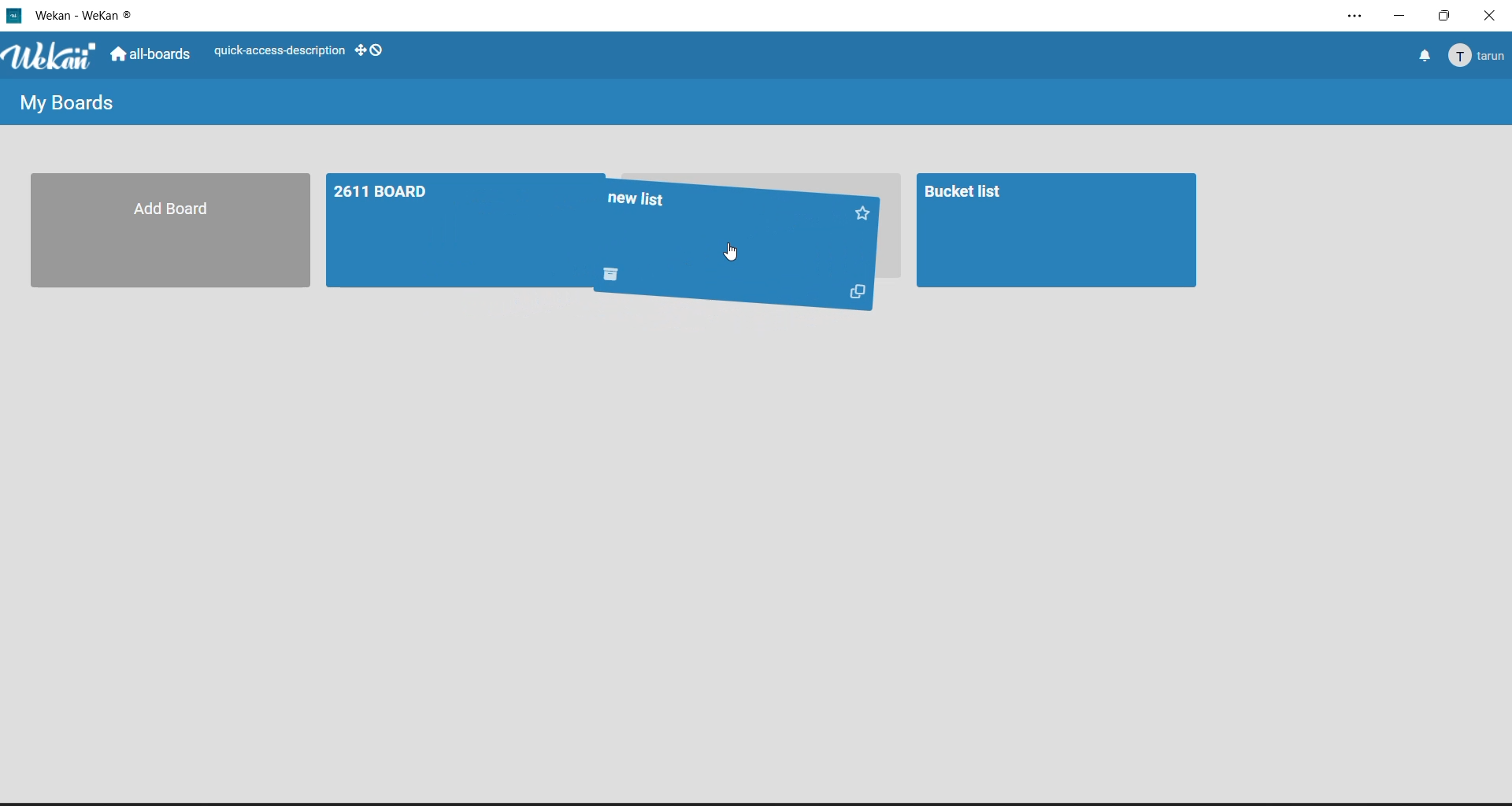 The image size is (1512, 806). Describe the element at coordinates (1054, 231) in the screenshot. I see `Bucket list` at that location.